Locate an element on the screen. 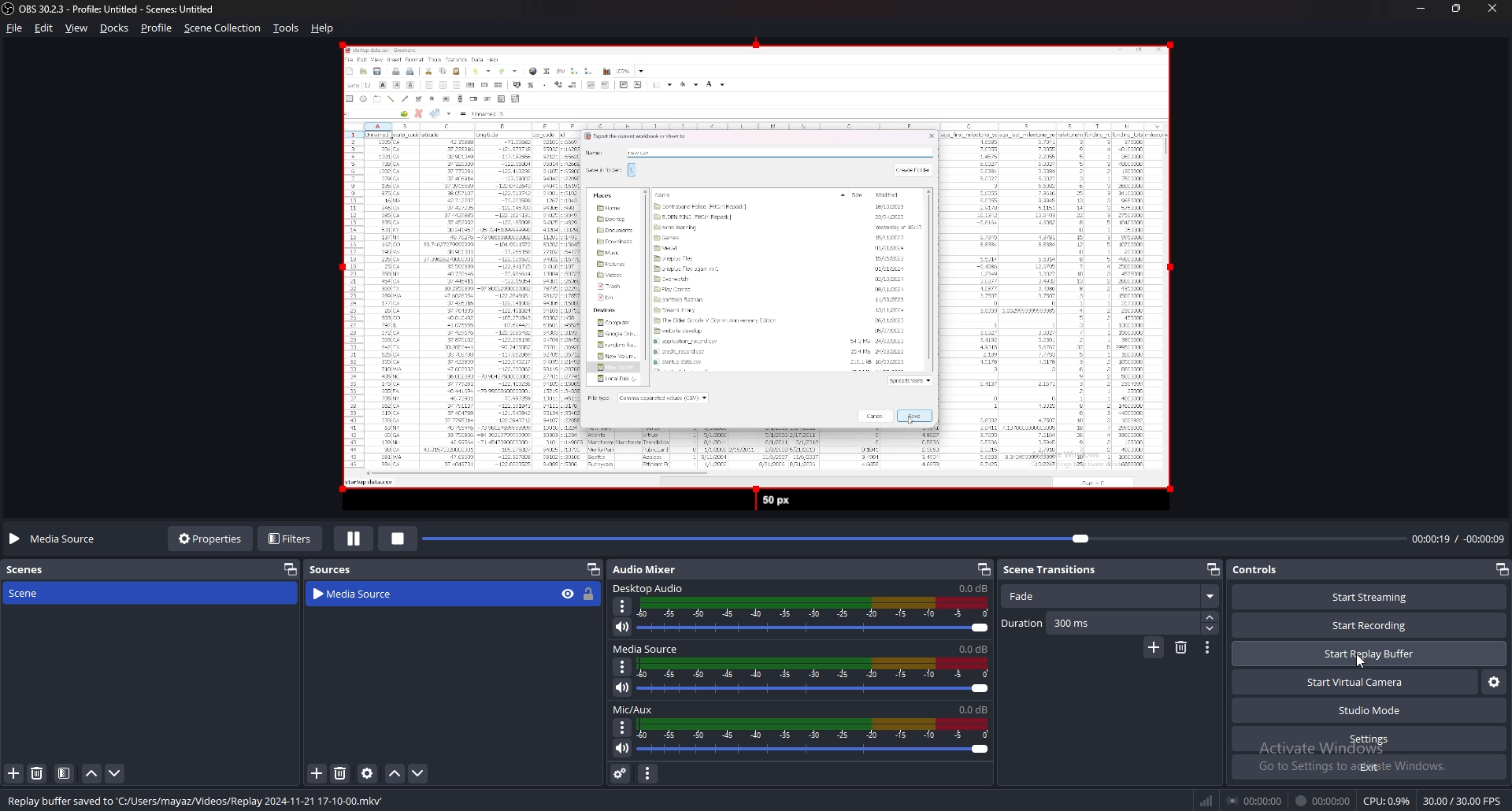 Image resolution: width=1512 pixels, height=811 pixels. scene transitions is located at coordinates (1060, 570).